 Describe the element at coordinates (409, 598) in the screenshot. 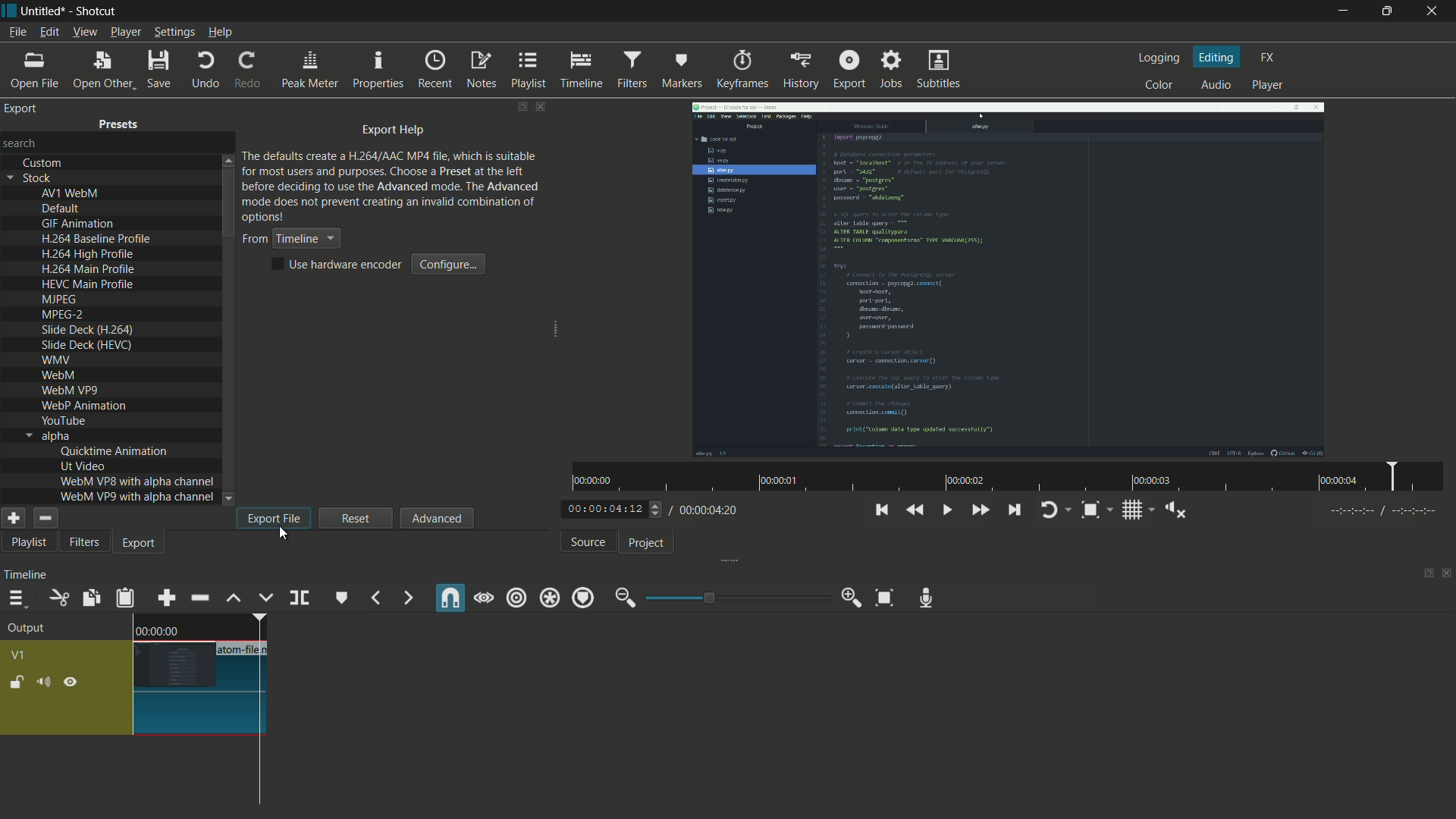

I see `next marker` at that location.